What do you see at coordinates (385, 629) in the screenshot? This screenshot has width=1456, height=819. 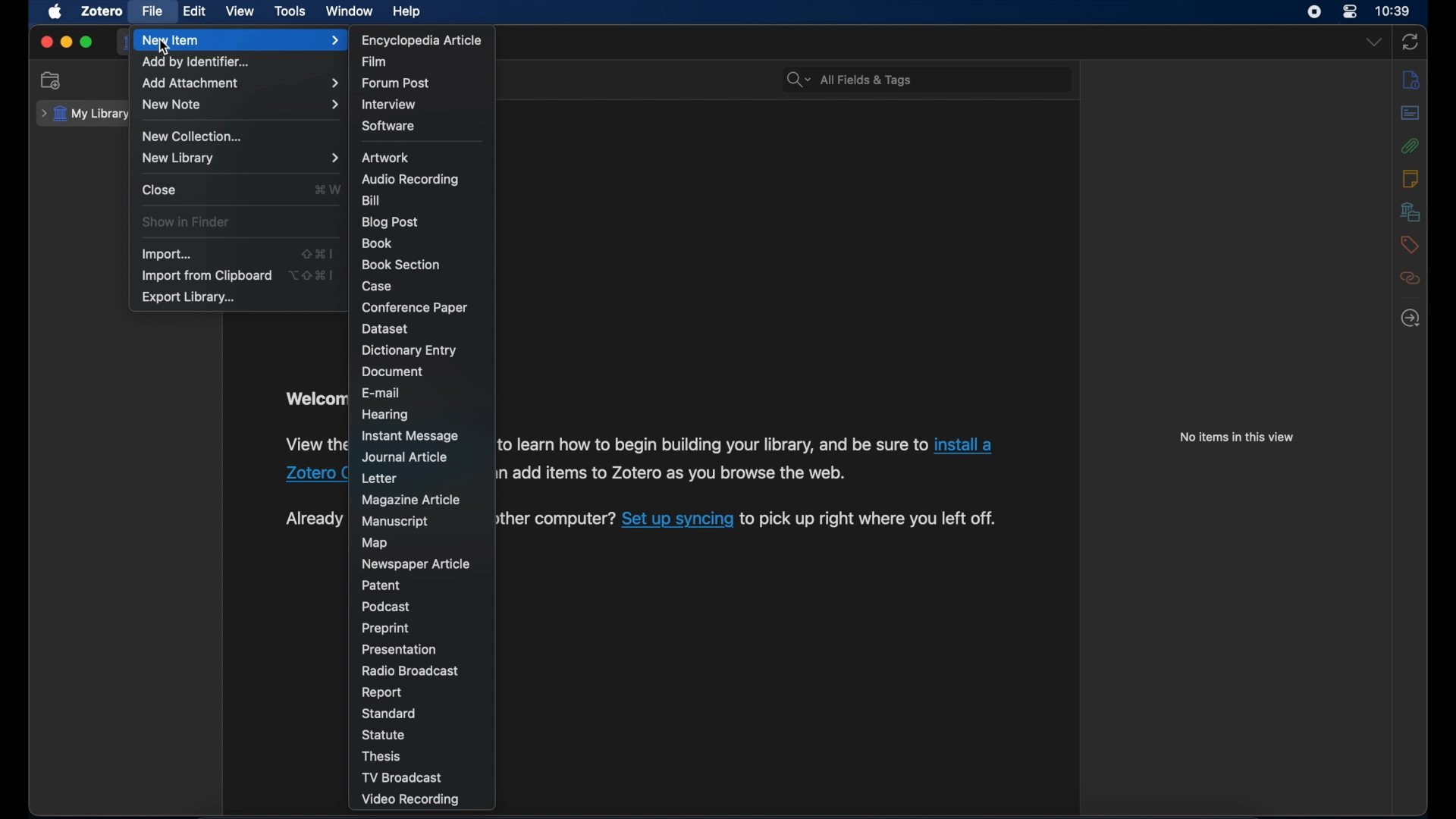 I see `preprint` at bounding box center [385, 629].